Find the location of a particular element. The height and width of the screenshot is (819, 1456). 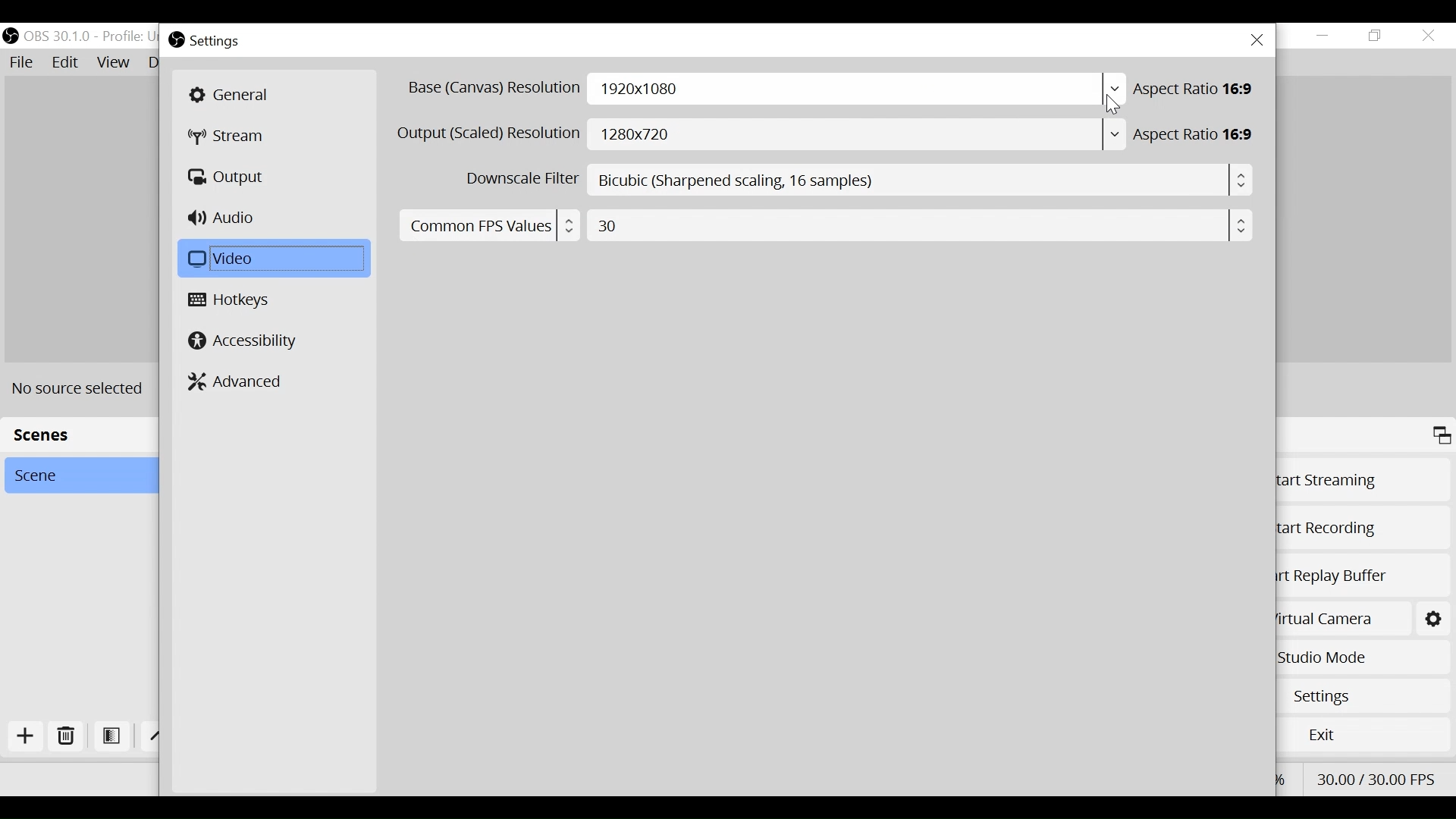

Base (Canvas) Resolution is located at coordinates (492, 89).